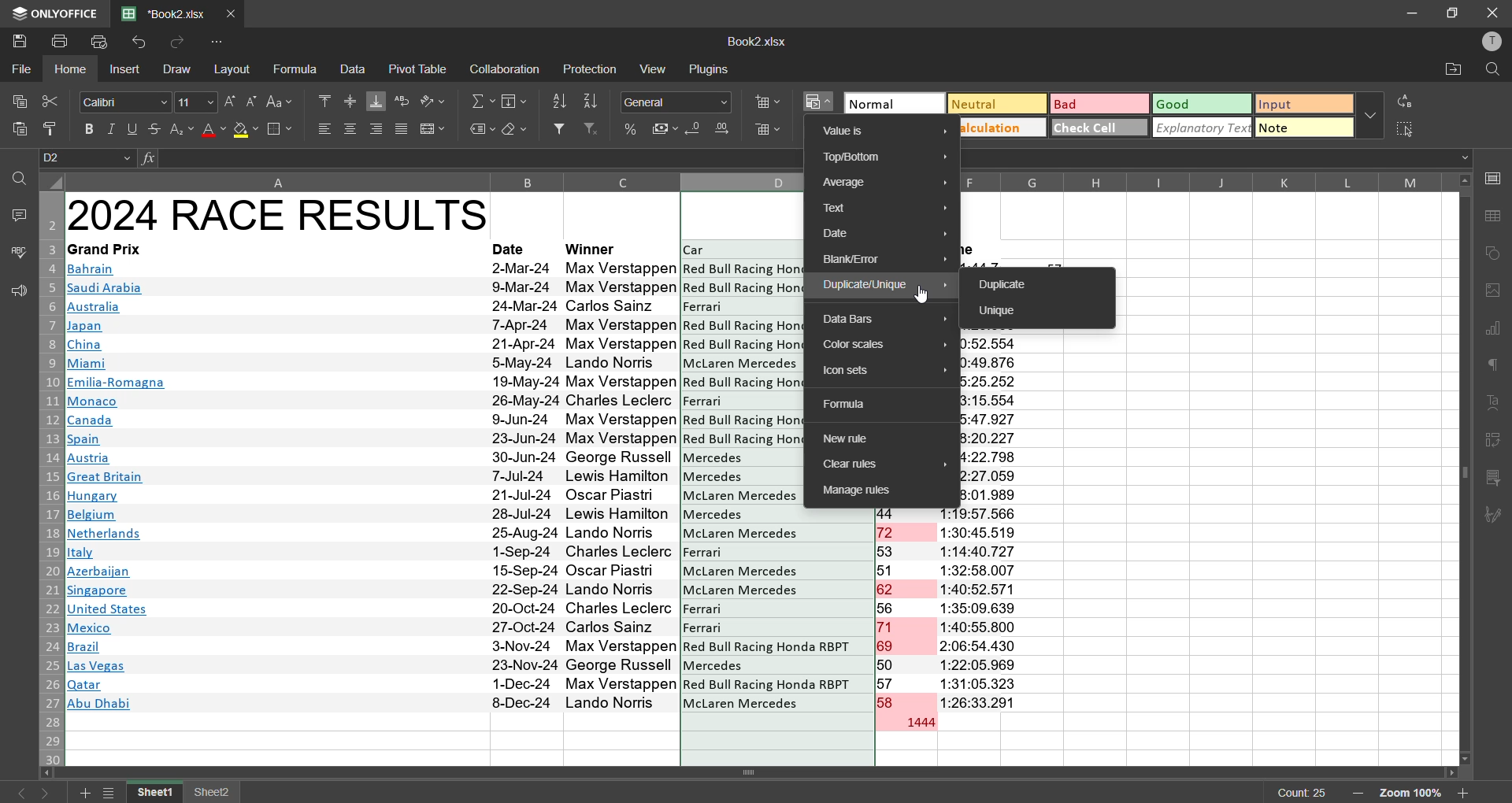 This screenshot has width=1512, height=803. I want to click on feedback, so click(16, 291).